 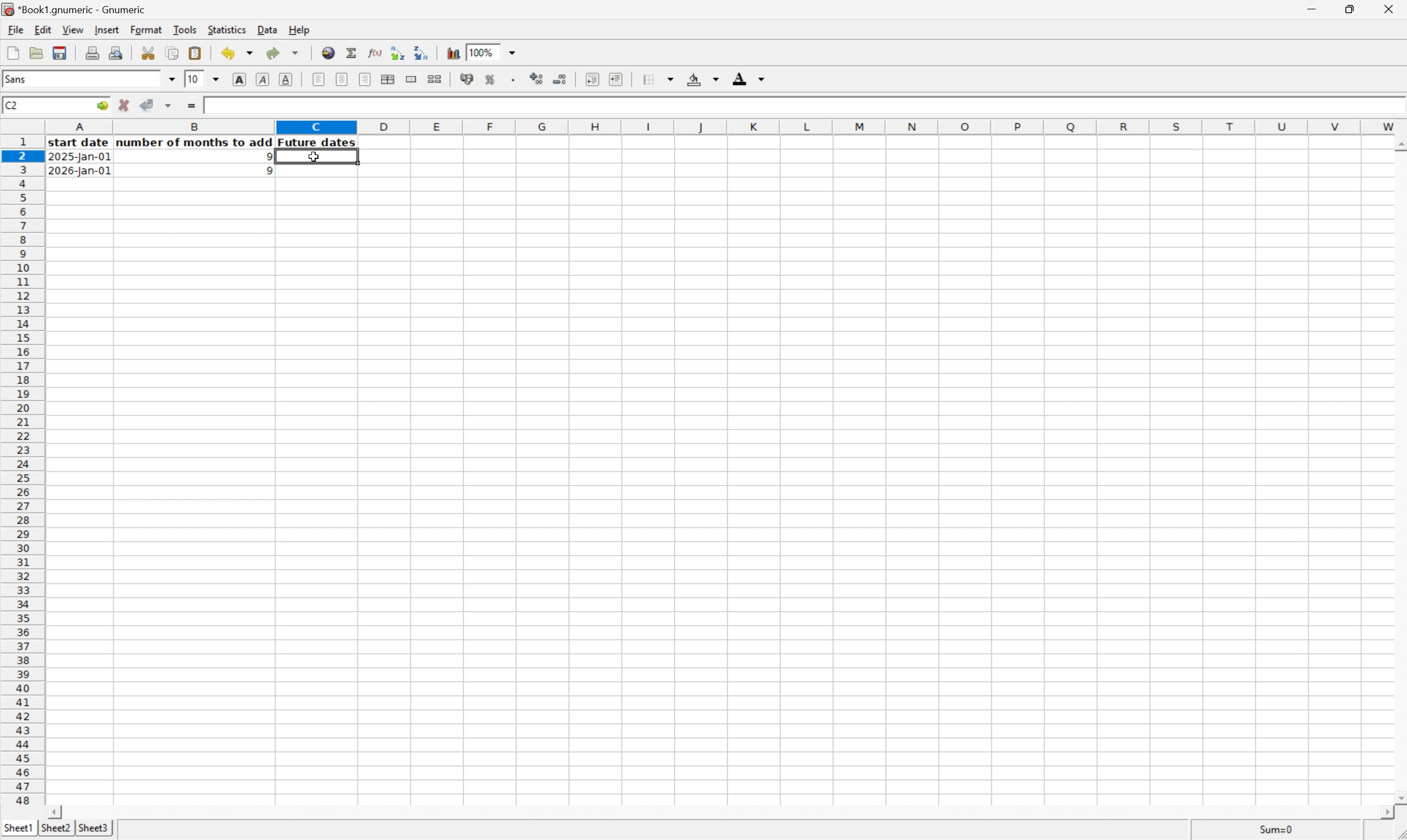 What do you see at coordinates (318, 143) in the screenshot?
I see `future dates` at bounding box center [318, 143].